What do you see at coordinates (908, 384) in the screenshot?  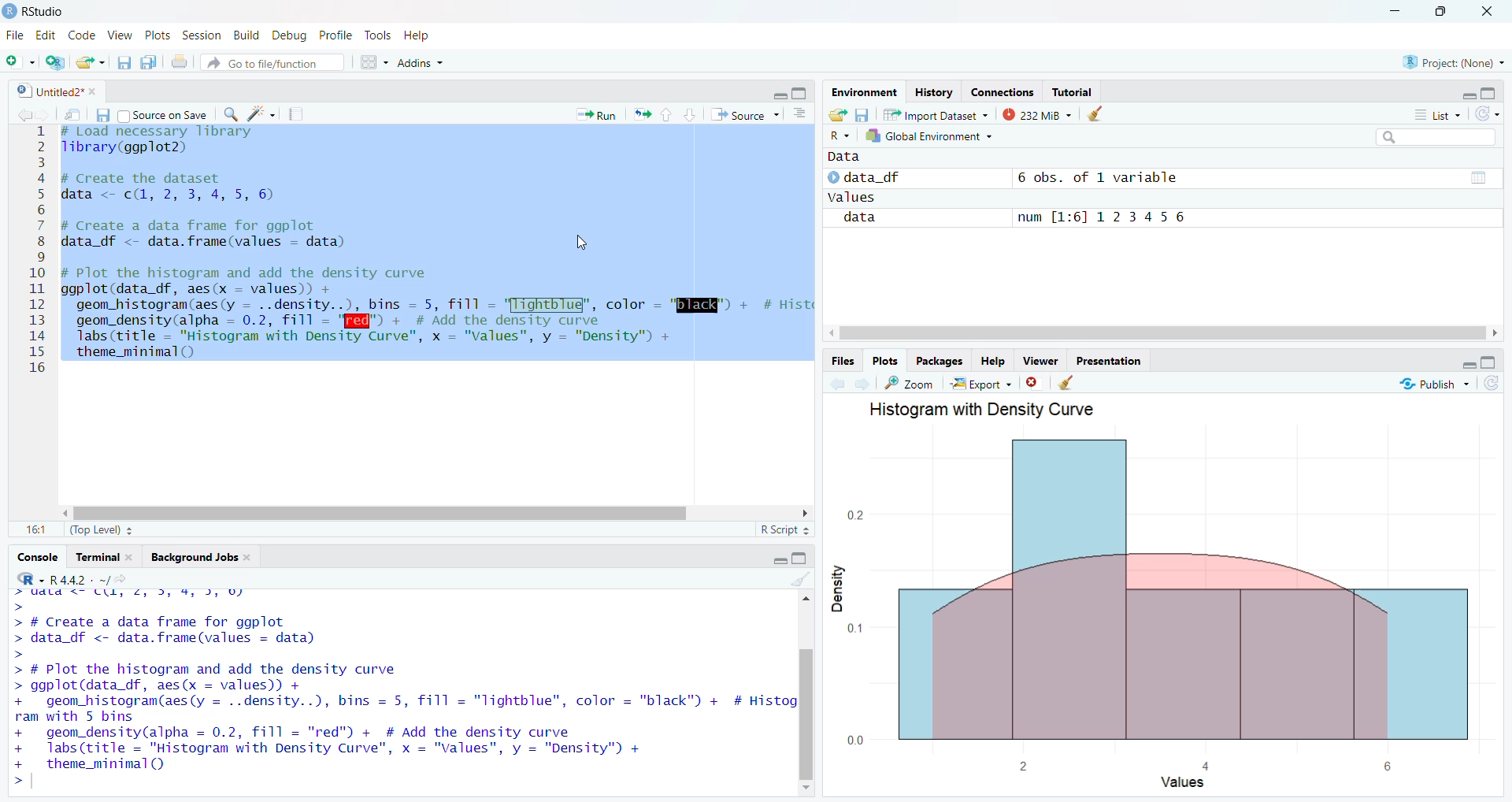 I see `zoom` at bounding box center [908, 384].